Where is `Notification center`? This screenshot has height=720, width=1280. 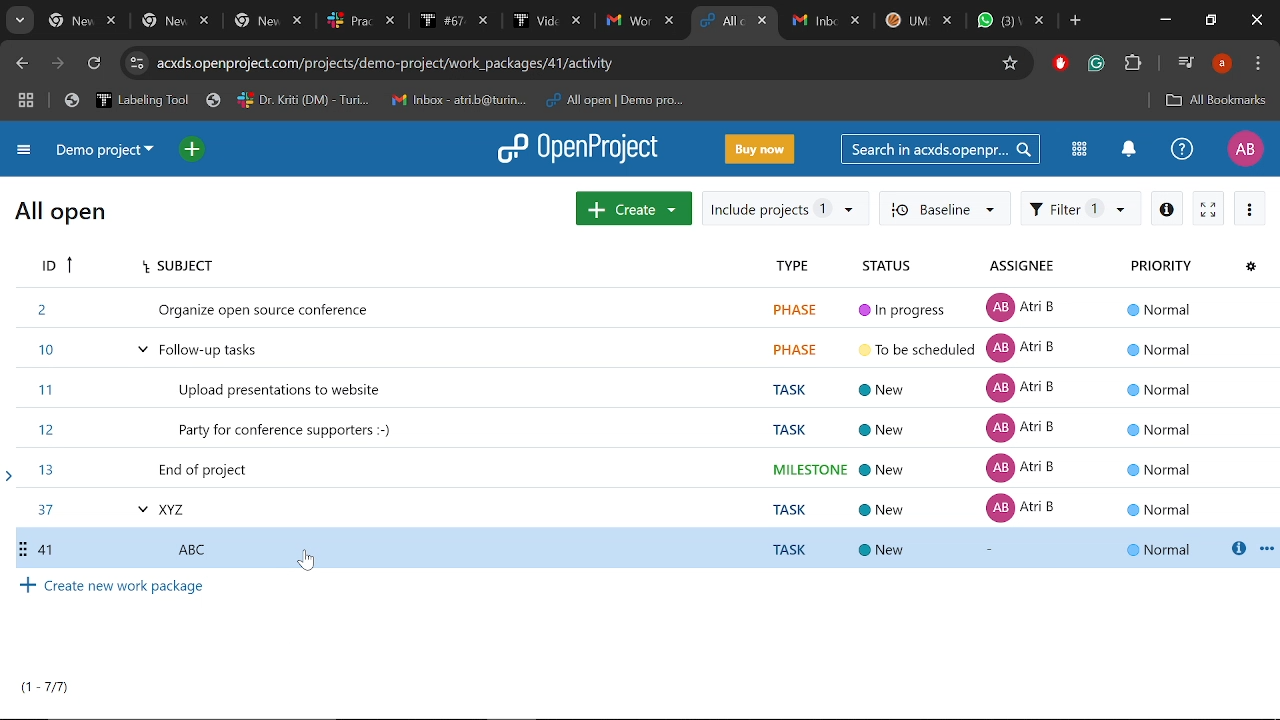 Notification center is located at coordinates (1126, 150).